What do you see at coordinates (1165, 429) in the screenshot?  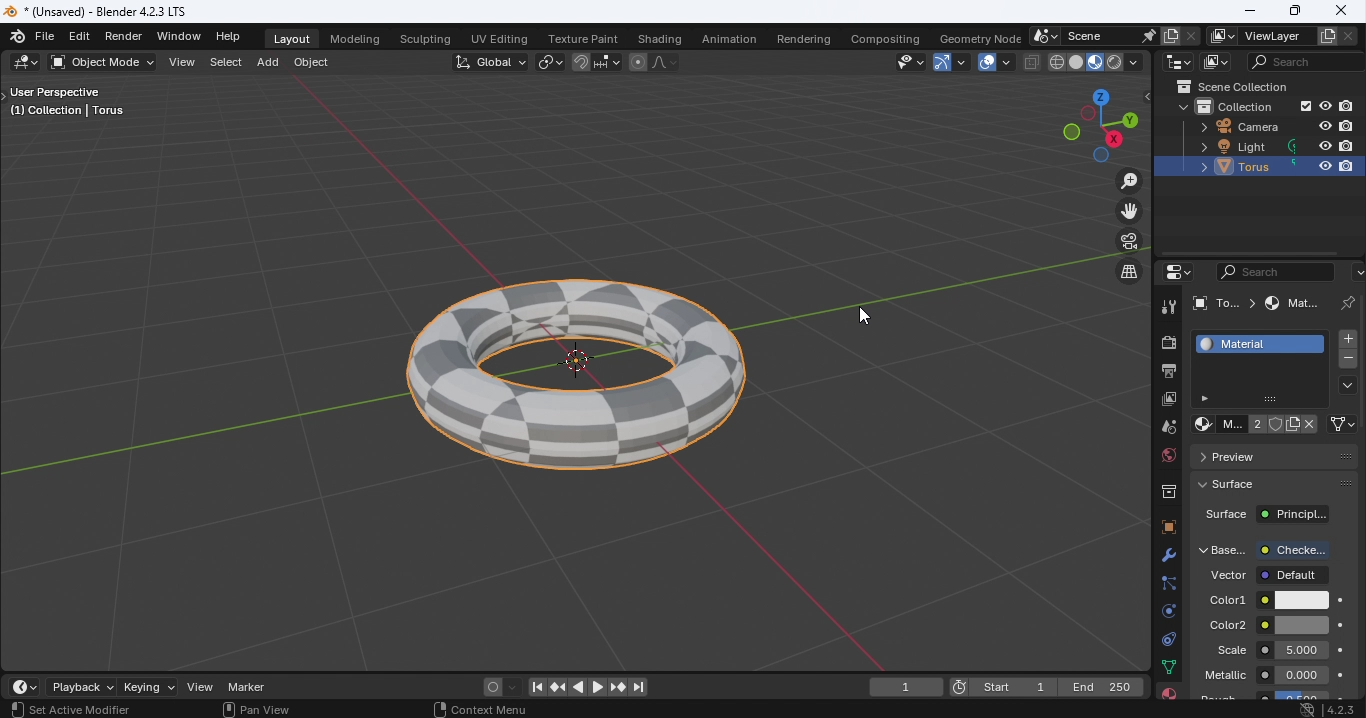 I see `Scene` at bounding box center [1165, 429].